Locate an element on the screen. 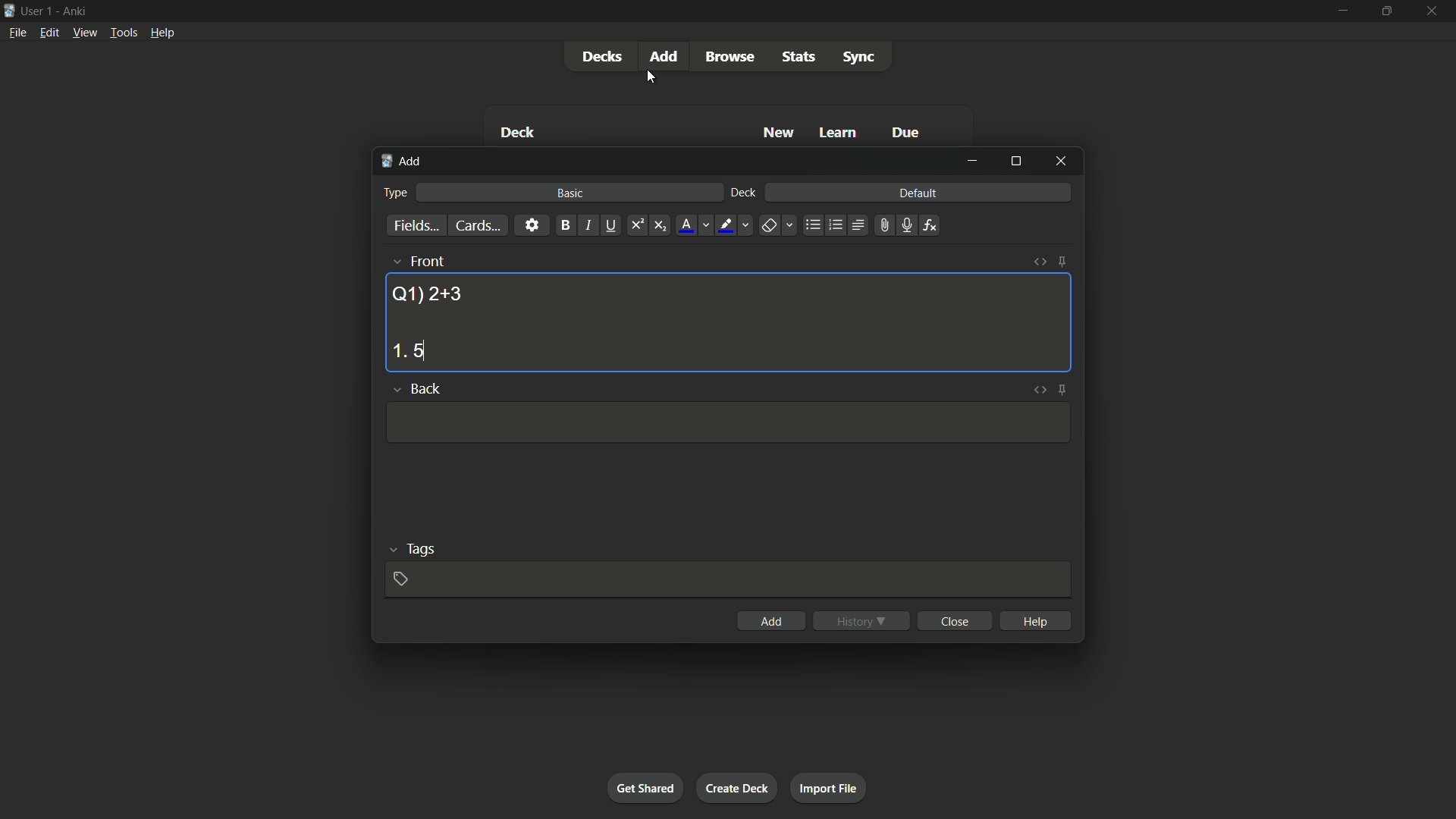  basic is located at coordinates (571, 193).